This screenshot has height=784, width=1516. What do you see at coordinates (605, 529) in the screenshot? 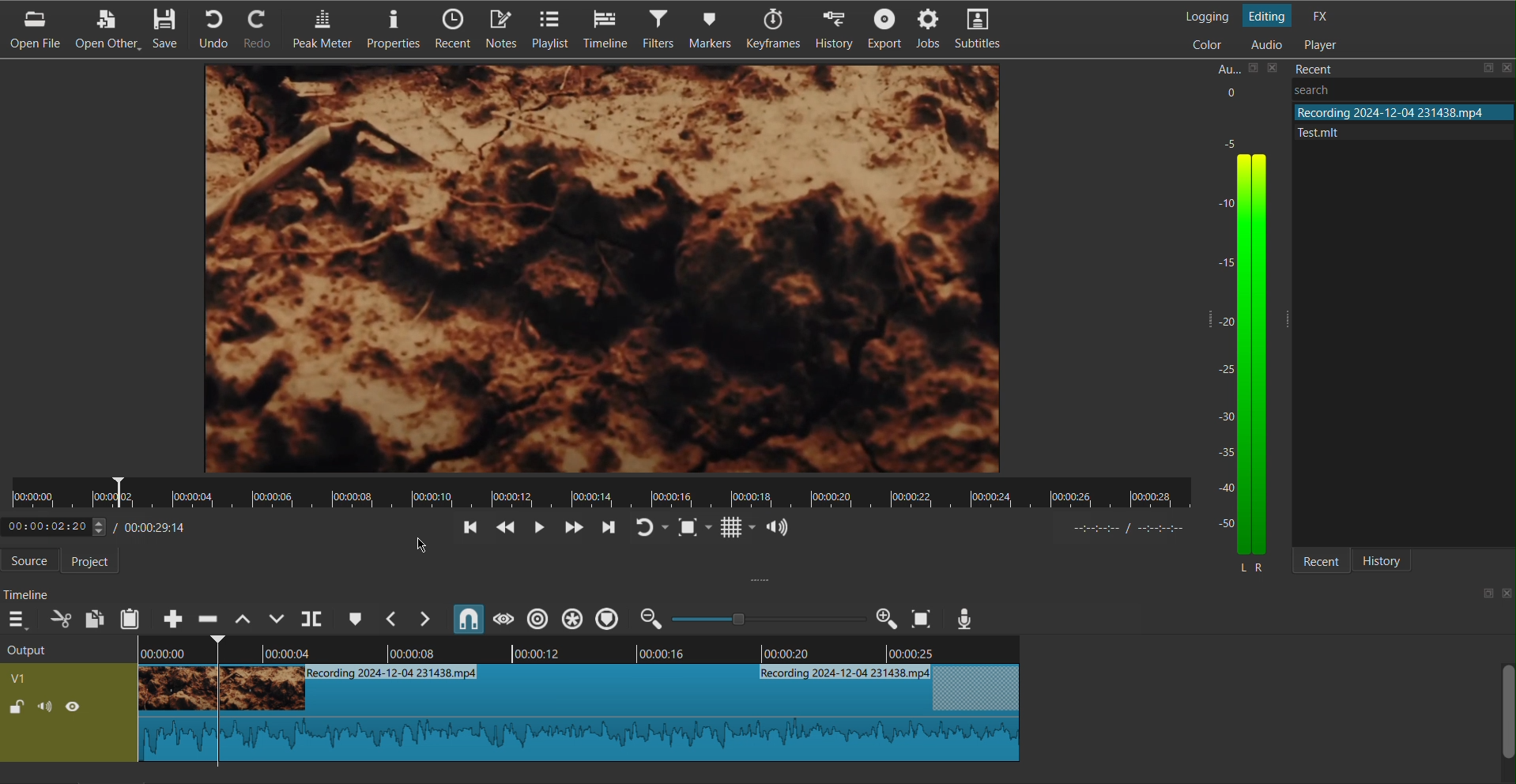
I see `Move Forward` at bounding box center [605, 529].